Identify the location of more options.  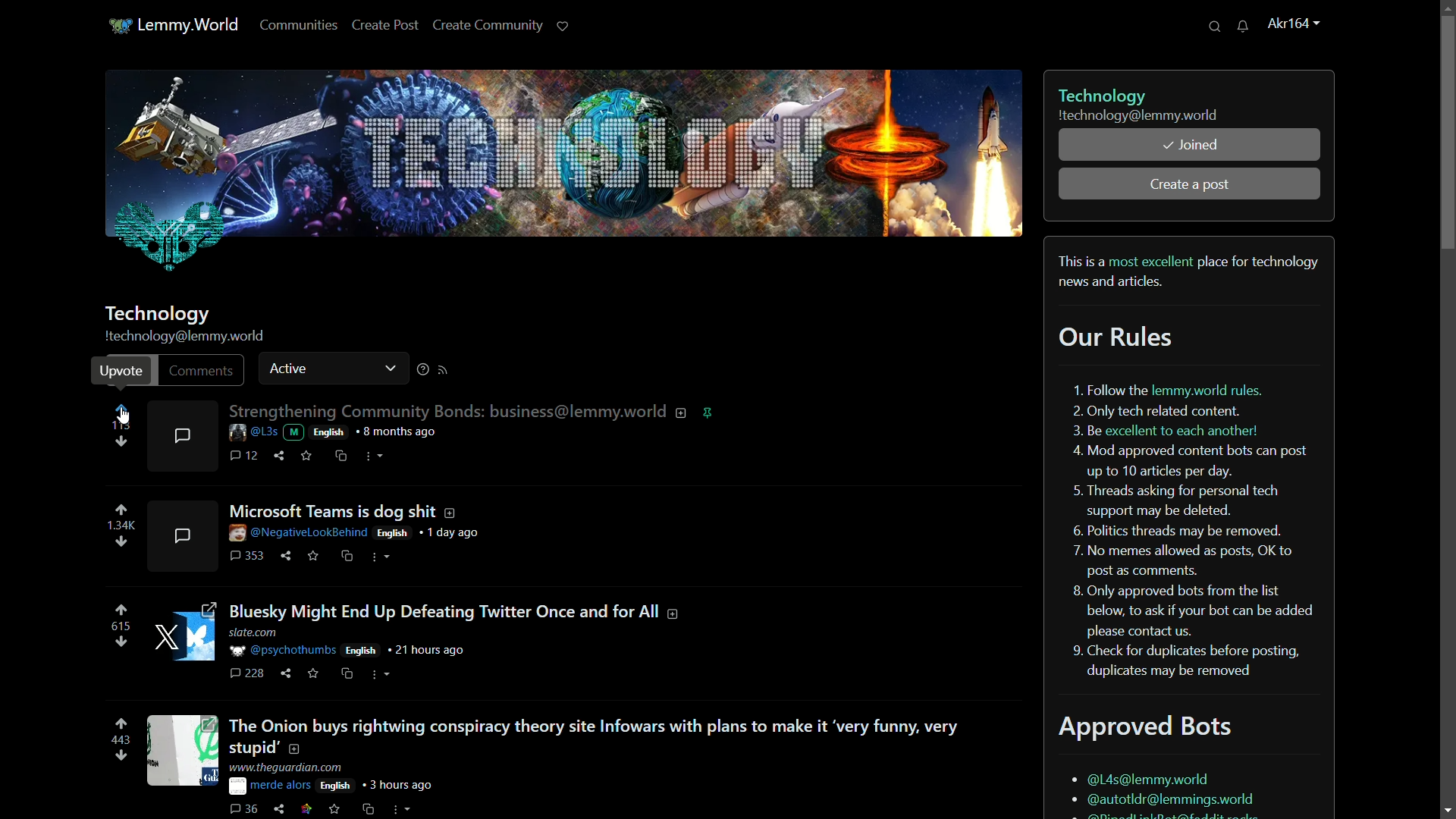
(429, 370).